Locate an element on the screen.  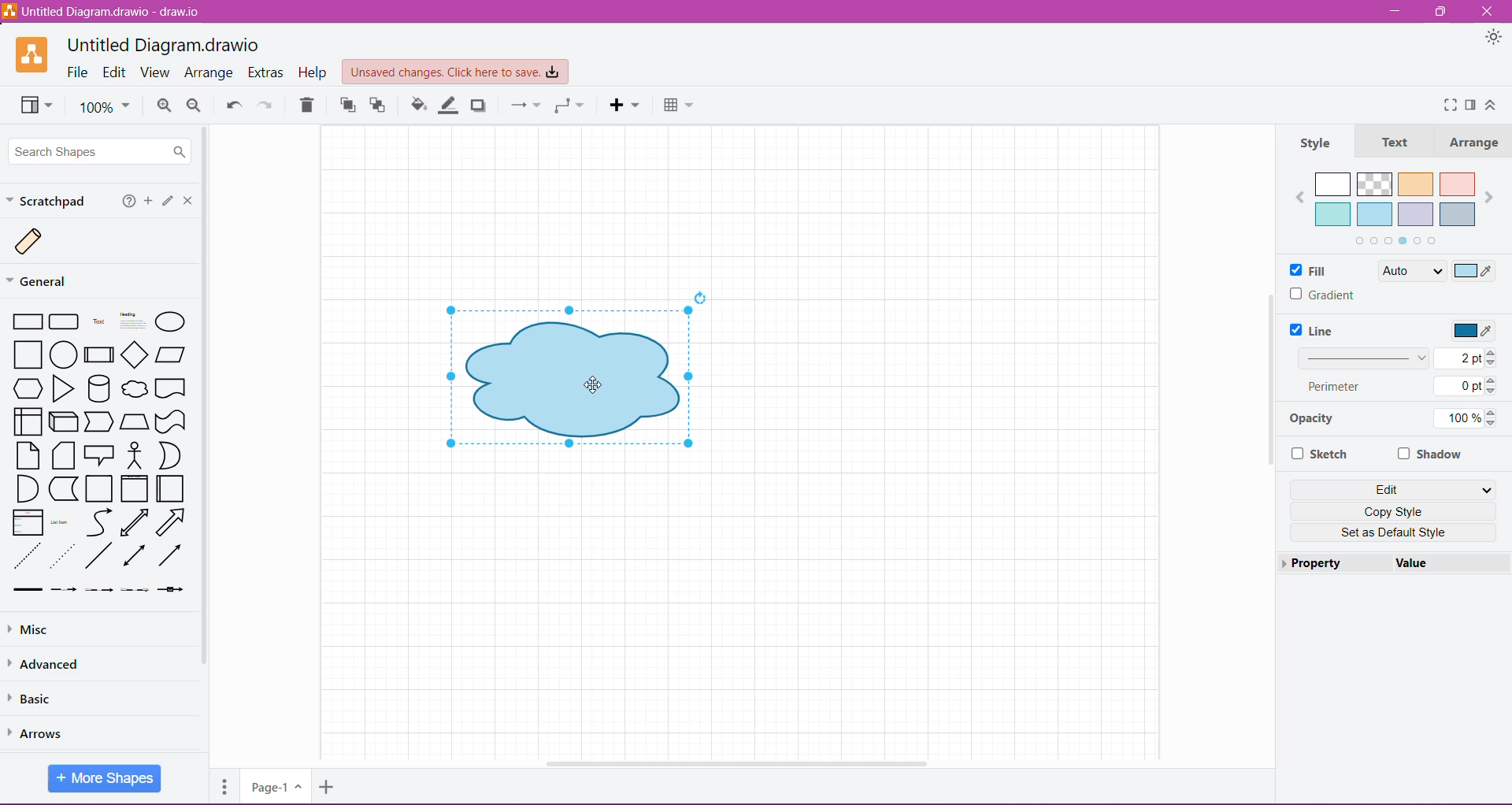
View is located at coordinates (154, 72).